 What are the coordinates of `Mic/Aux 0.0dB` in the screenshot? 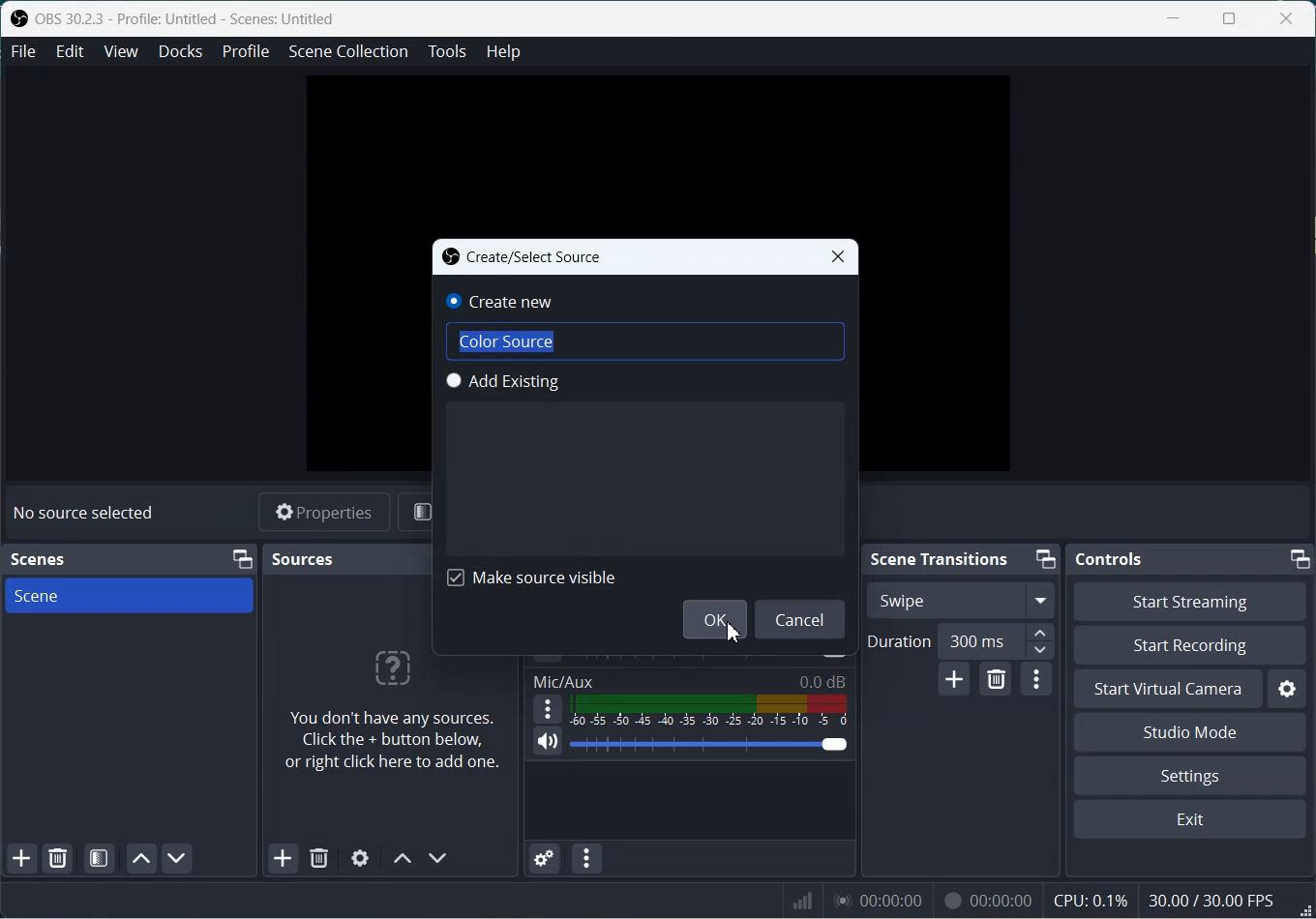 It's located at (690, 681).